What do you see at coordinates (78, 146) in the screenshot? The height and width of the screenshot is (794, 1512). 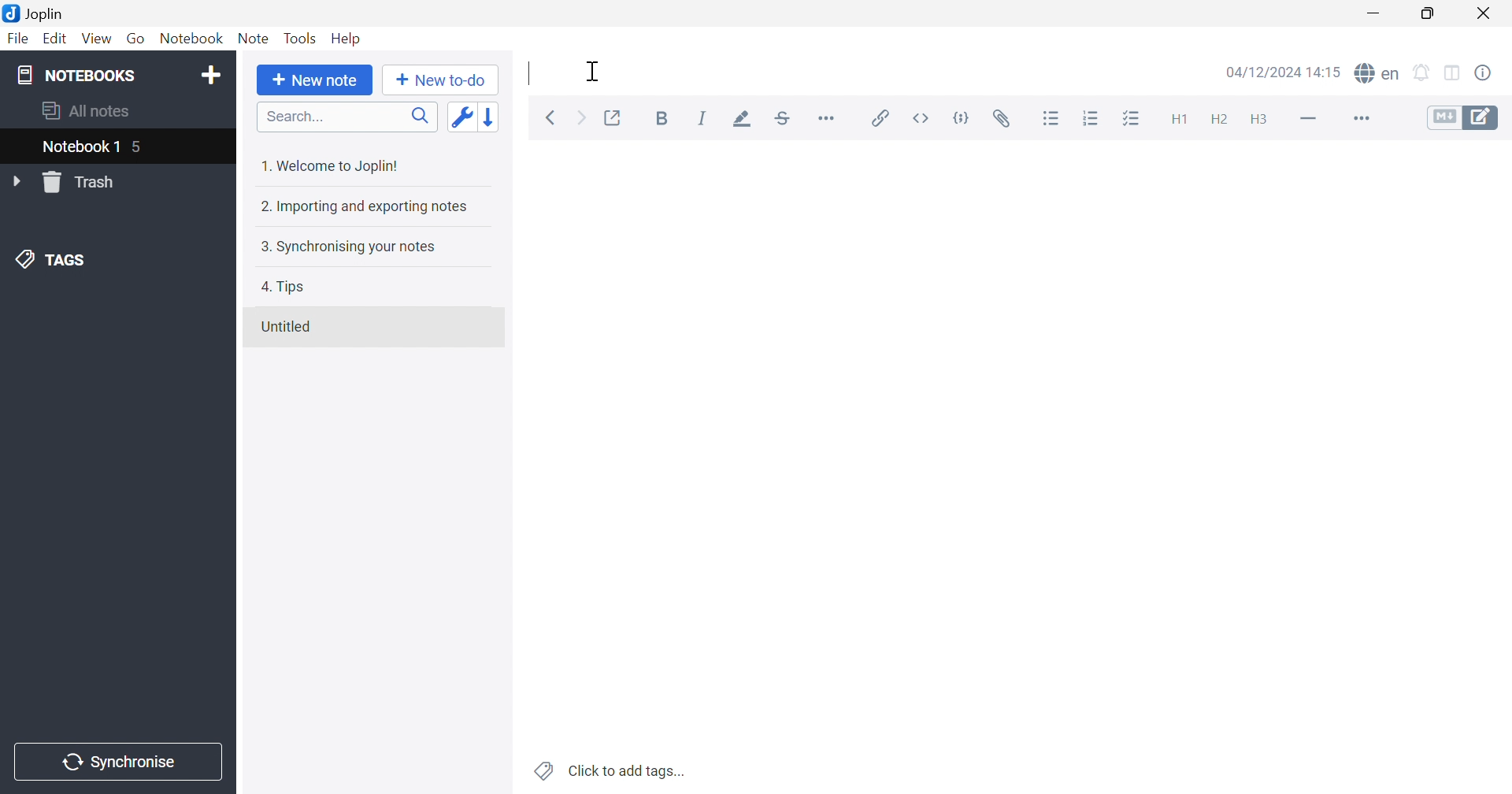 I see `Notebook1` at bounding box center [78, 146].